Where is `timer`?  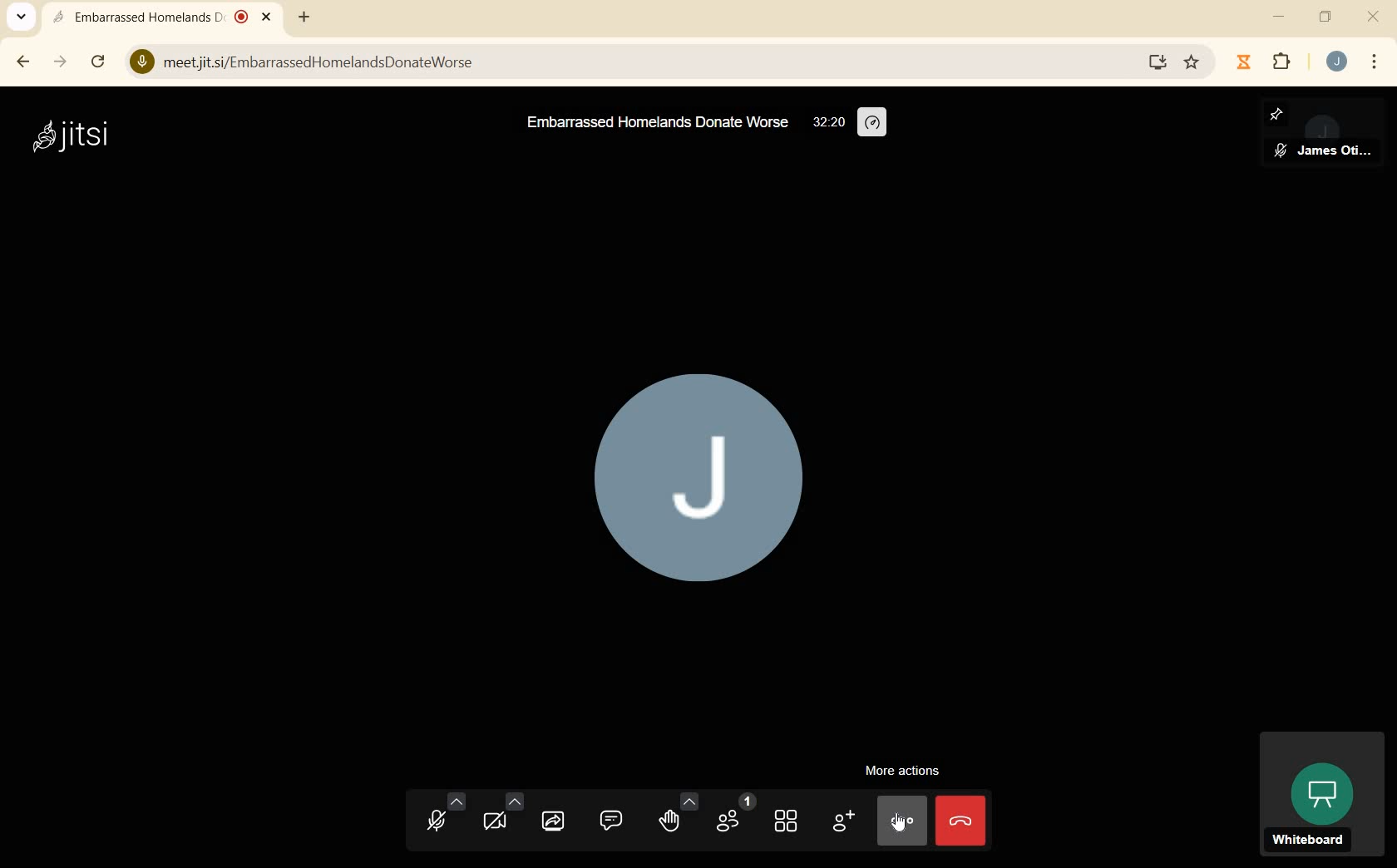 timer is located at coordinates (828, 123).